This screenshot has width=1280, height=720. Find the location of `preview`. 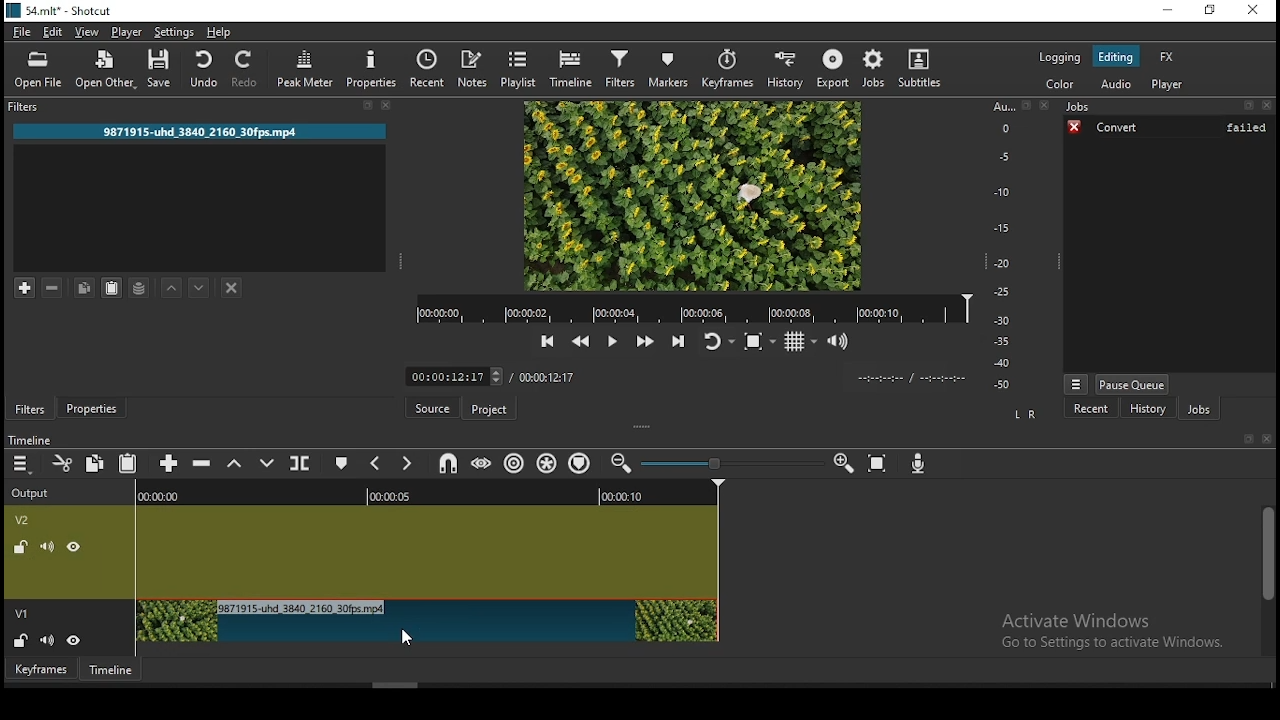

preview is located at coordinates (693, 196).